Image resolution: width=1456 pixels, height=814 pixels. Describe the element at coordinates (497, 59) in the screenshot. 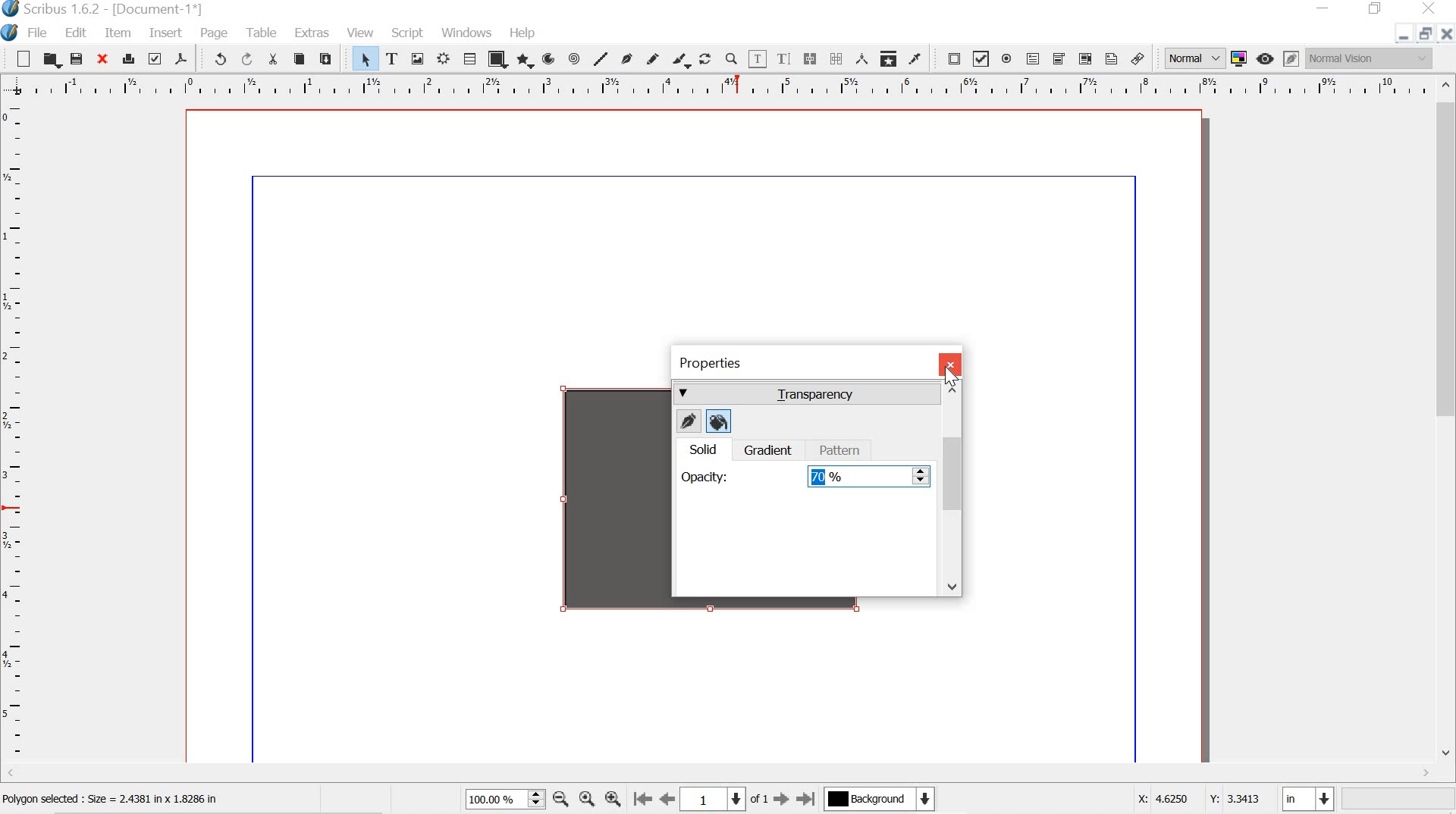

I see `shape` at that location.